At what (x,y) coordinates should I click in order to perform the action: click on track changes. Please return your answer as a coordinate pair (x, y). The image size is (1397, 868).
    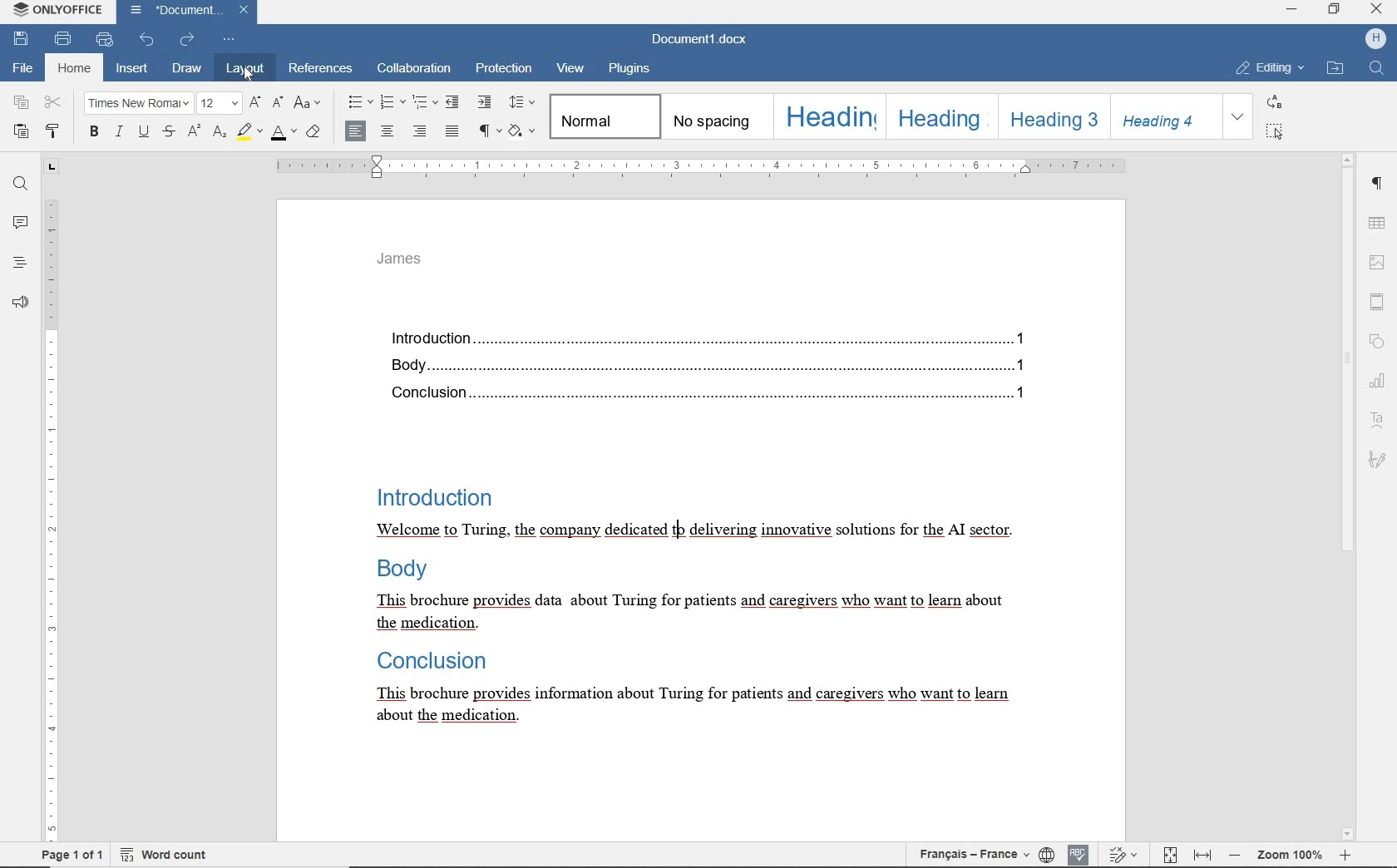
    Looking at the image, I should click on (1125, 851).